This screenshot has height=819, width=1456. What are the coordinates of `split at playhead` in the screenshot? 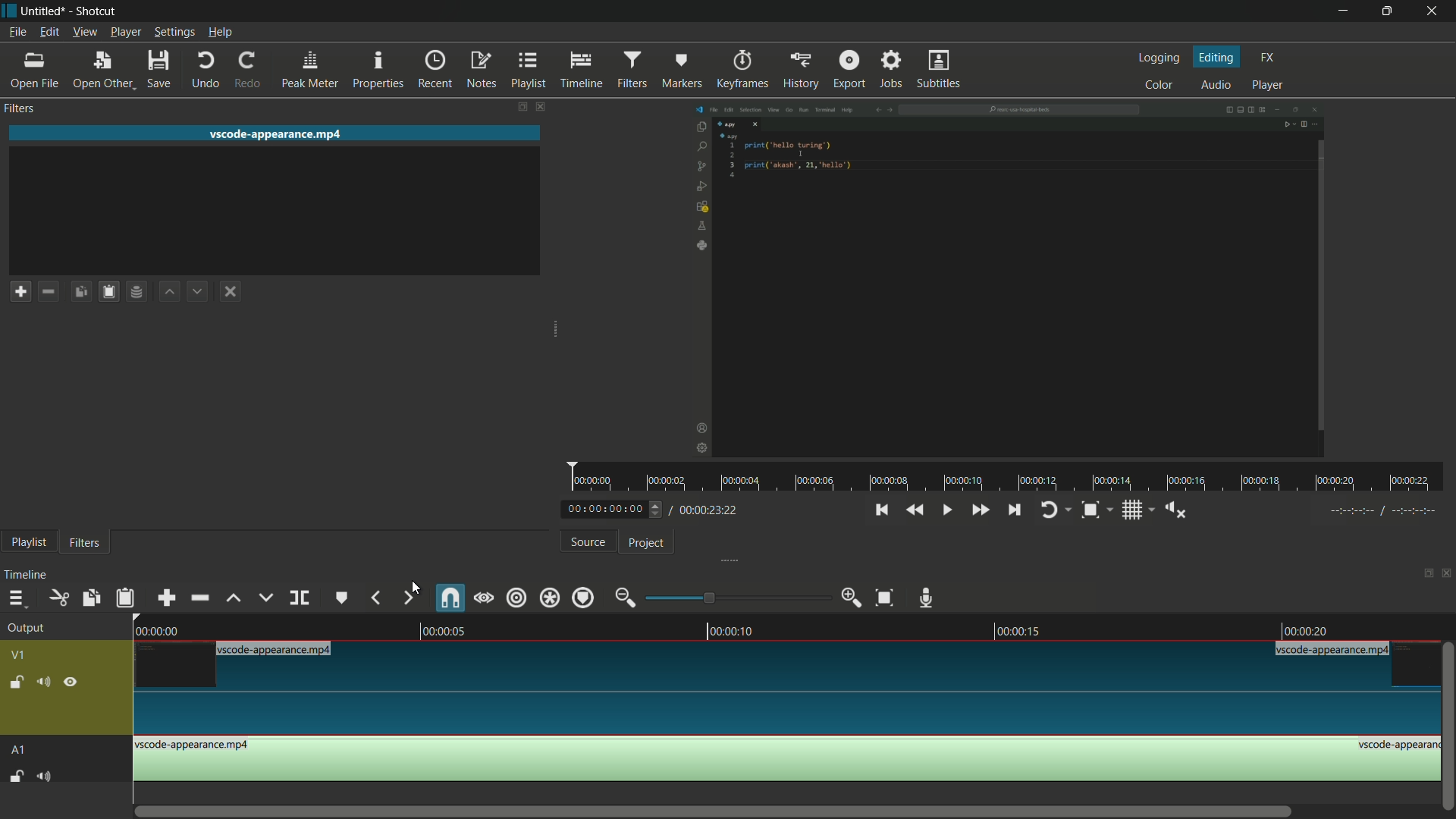 It's located at (301, 598).